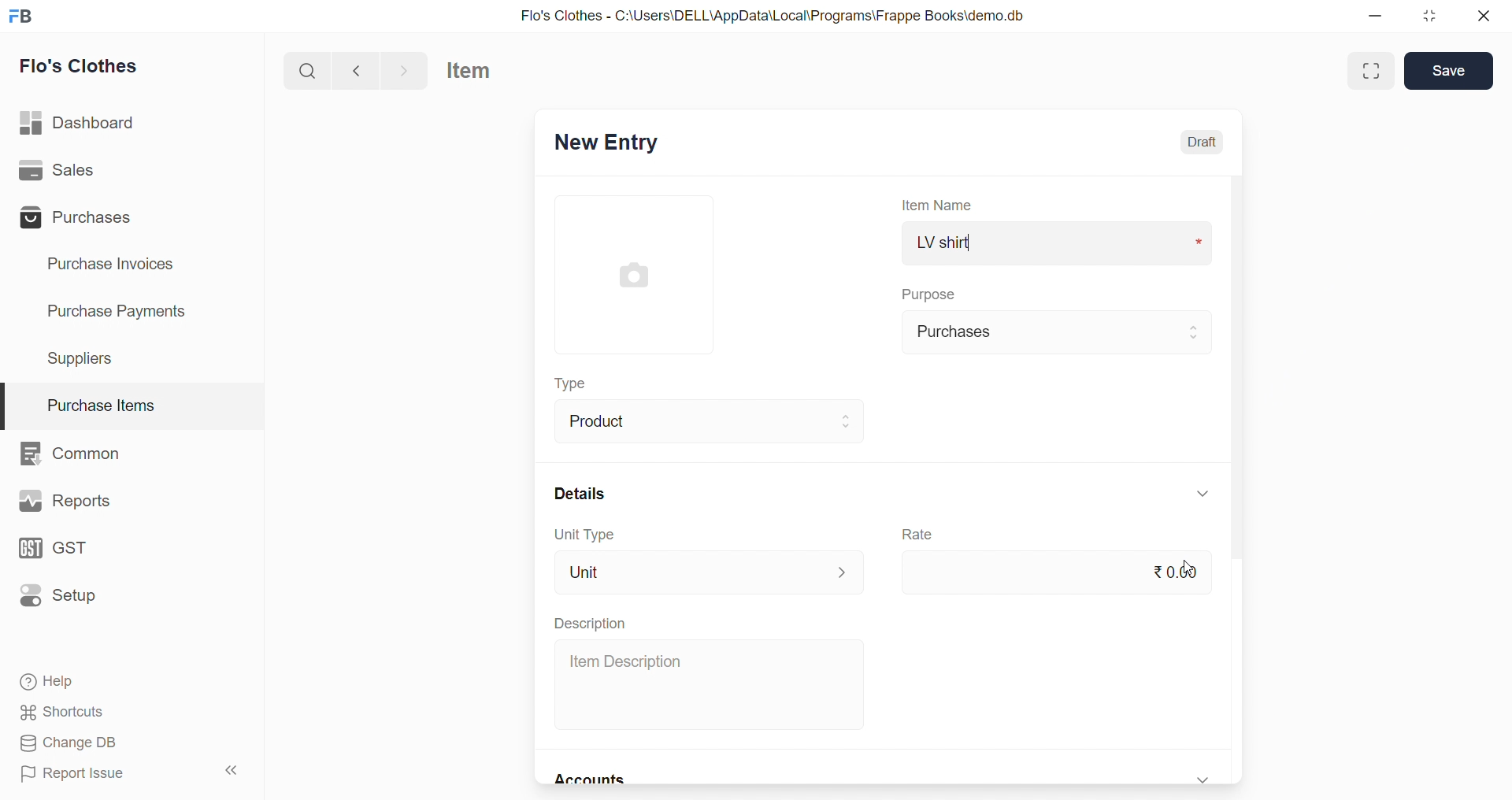  What do you see at coordinates (480, 71) in the screenshot?
I see `Item` at bounding box center [480, 71].